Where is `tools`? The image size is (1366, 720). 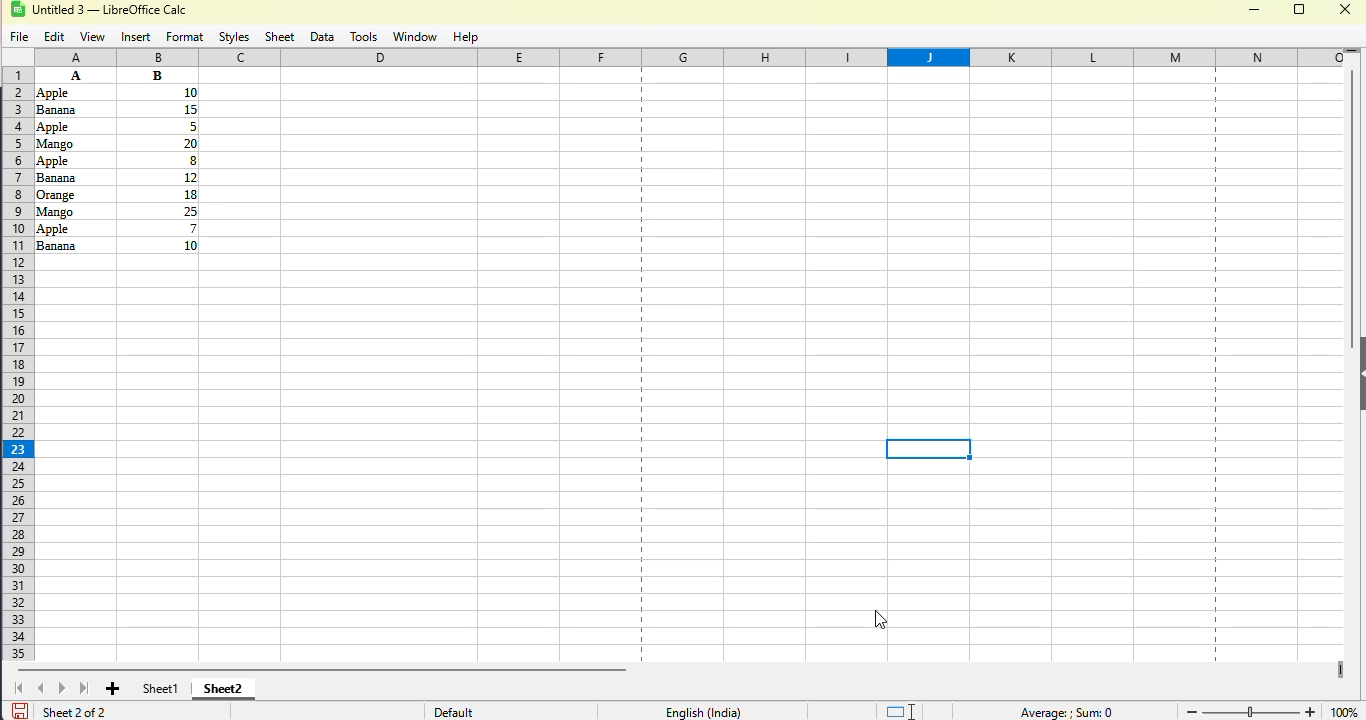
tools is located at coordinates (363, 37).